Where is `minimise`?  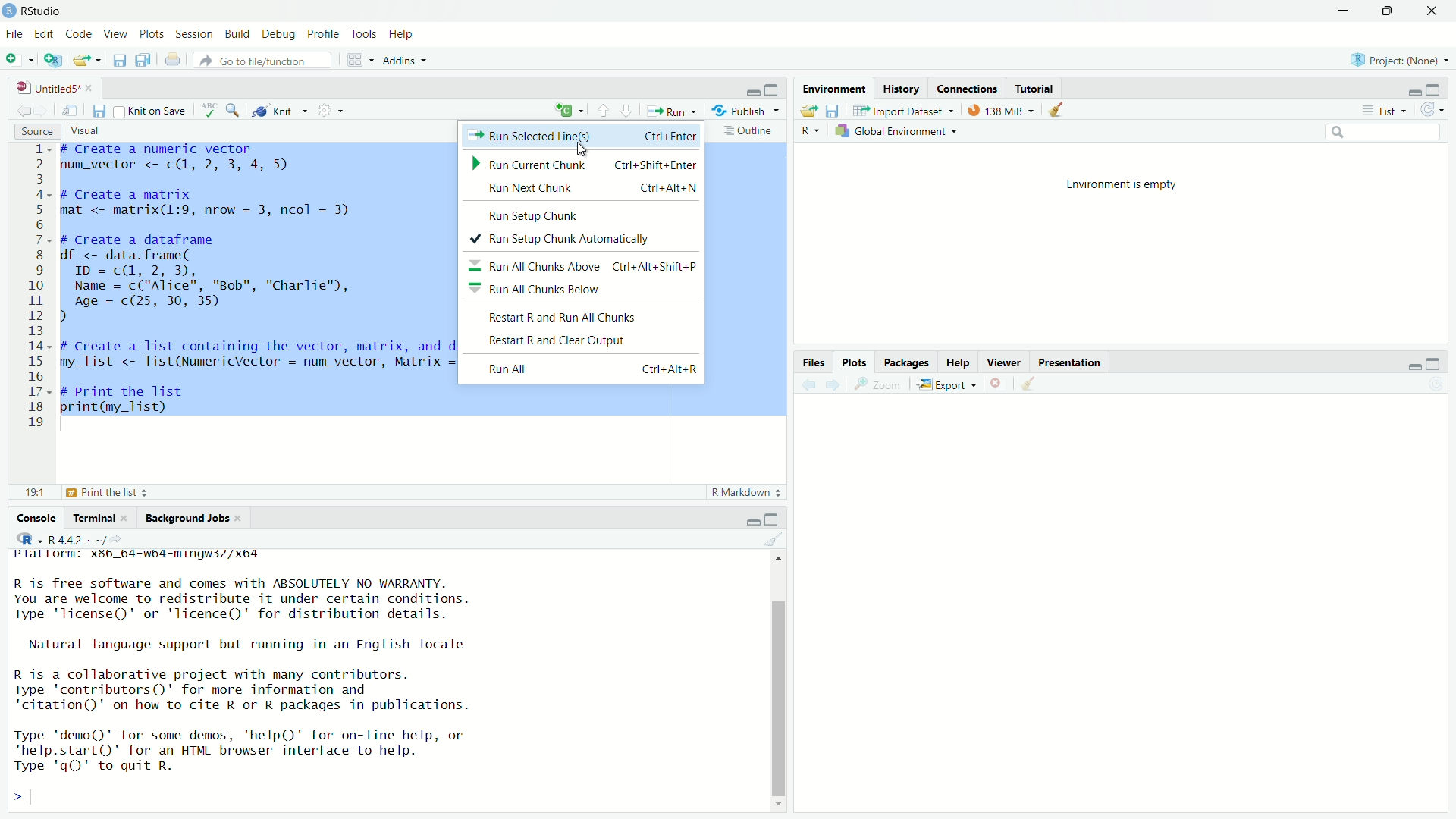
minimise is located at coordinates (1330, 14).